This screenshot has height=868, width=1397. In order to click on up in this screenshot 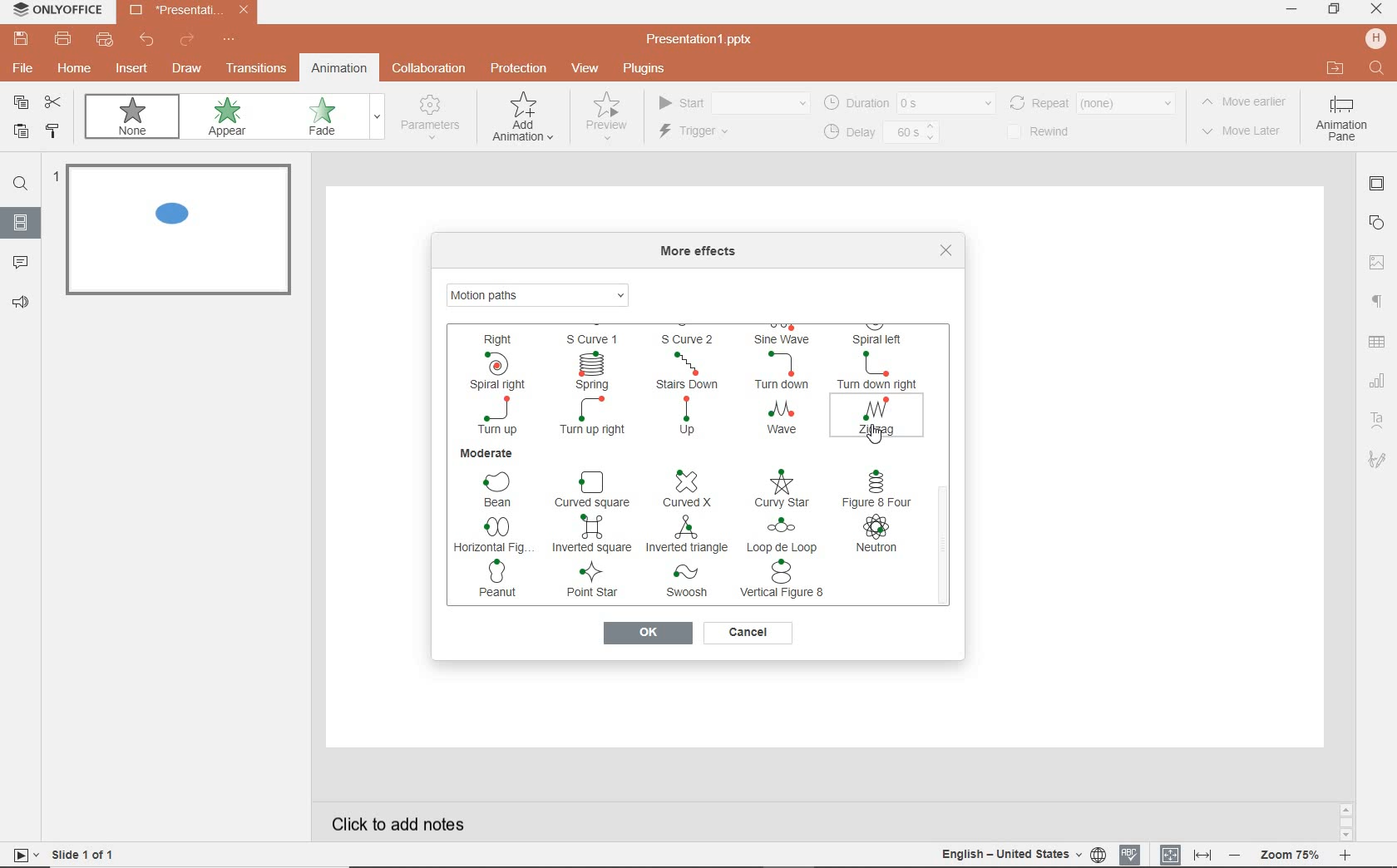, I will do `click(691, 417)`.